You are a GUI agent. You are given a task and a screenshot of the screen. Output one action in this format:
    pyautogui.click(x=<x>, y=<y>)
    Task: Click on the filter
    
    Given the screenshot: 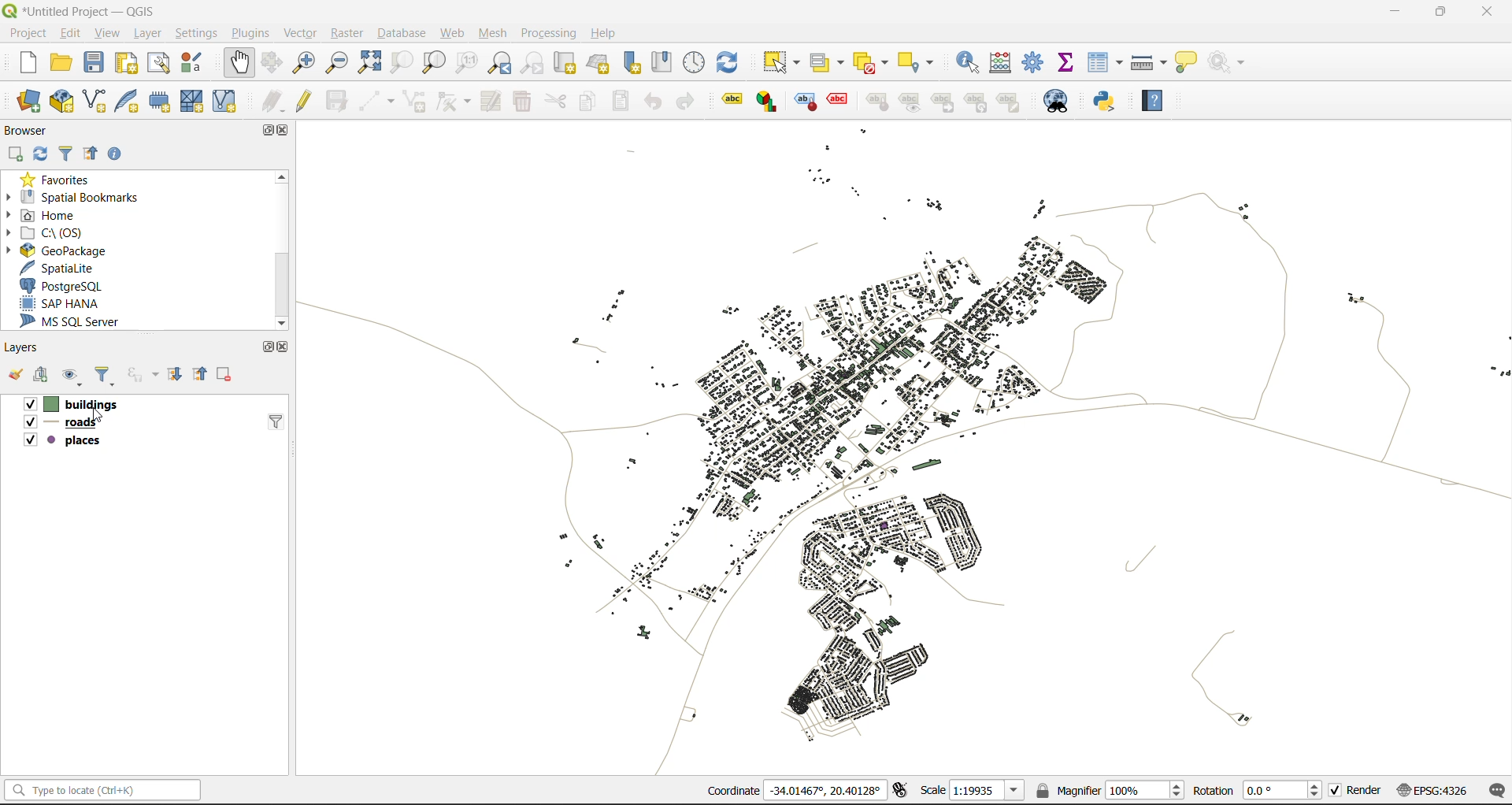 What is the action you would take?
    pyautogui.click(x=67, y=153)
    